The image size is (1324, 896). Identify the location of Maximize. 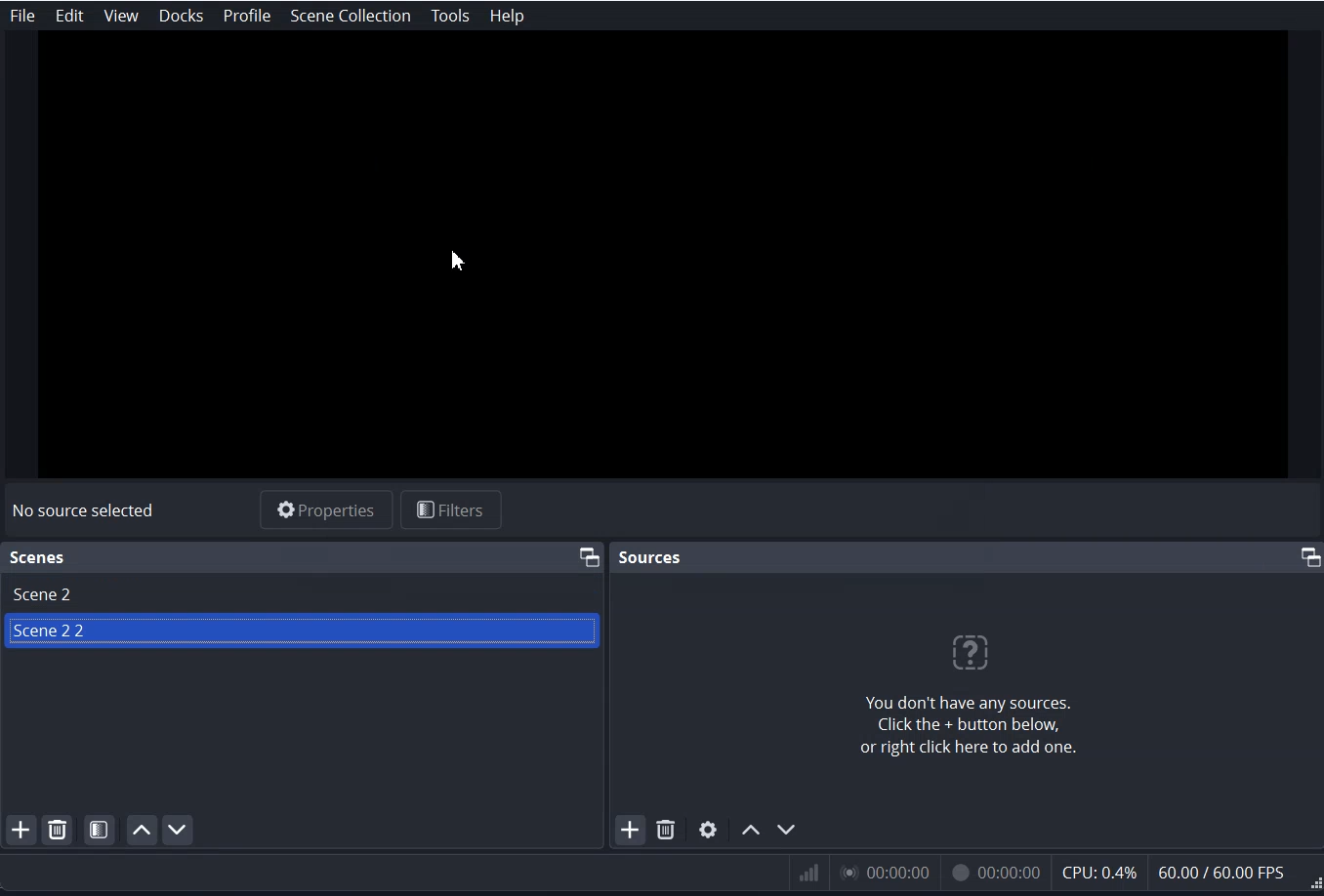
(1309, 557).